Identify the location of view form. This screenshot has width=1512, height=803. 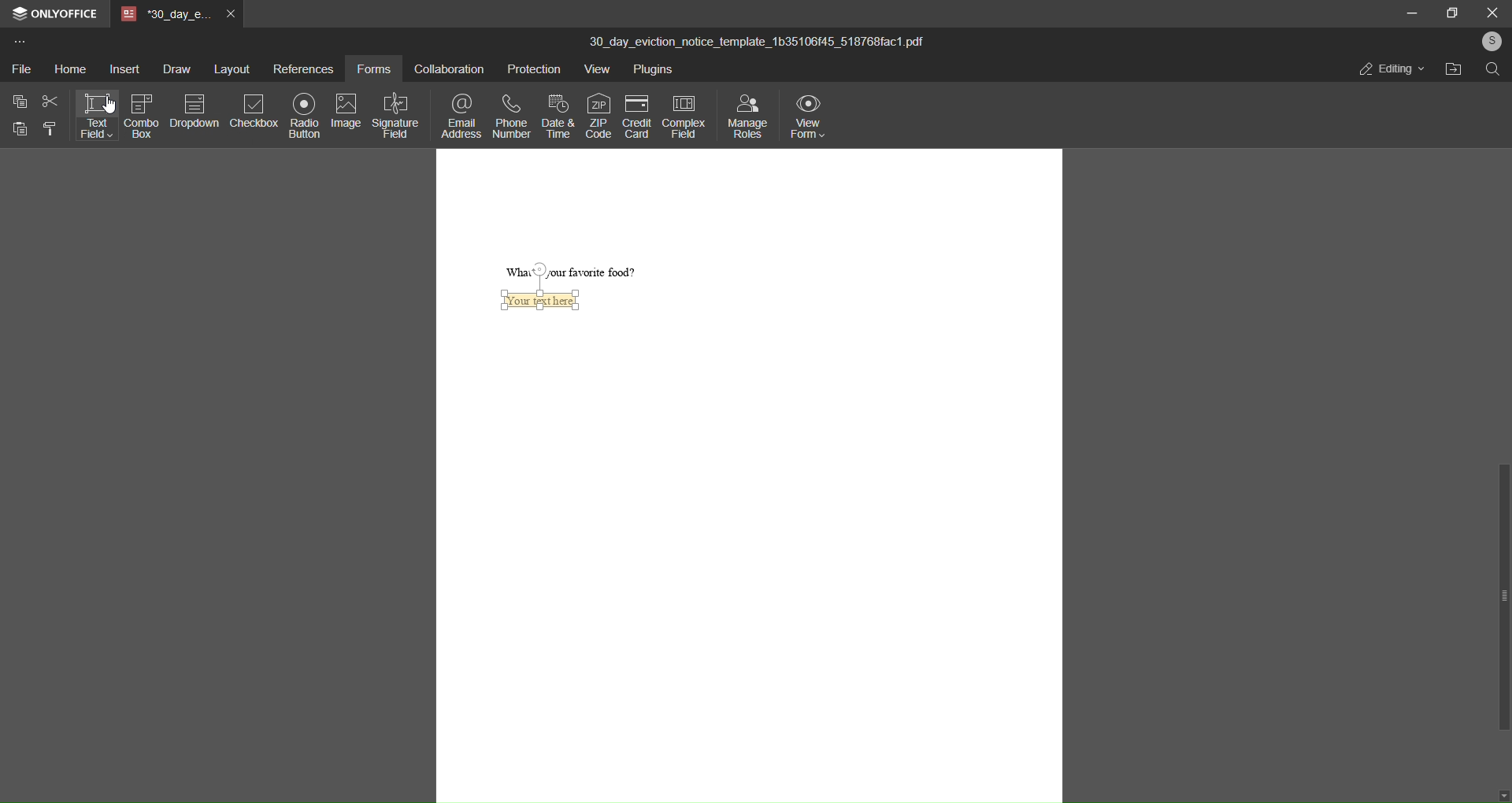
(806, 118).